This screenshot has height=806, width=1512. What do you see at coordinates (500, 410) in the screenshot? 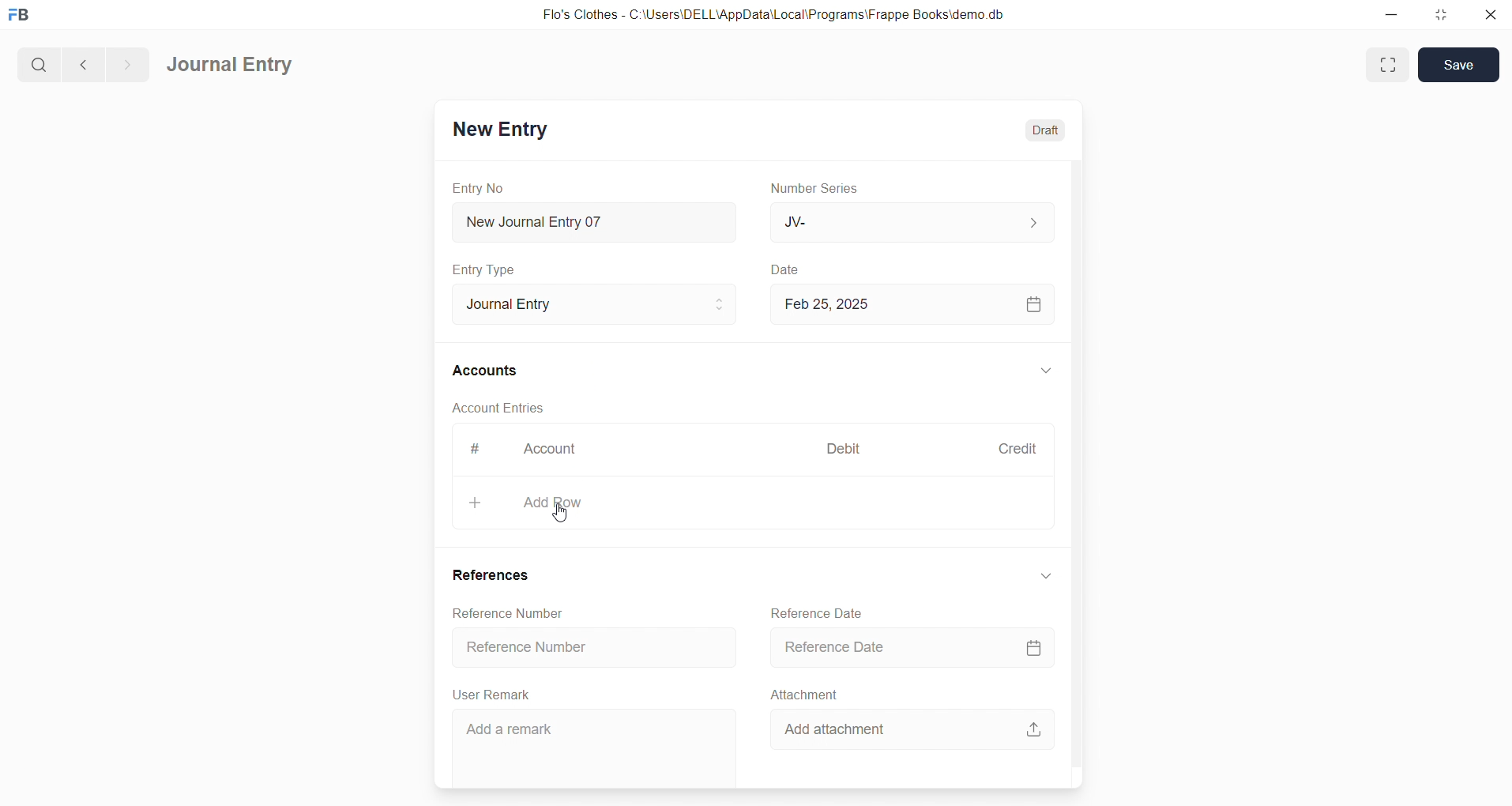
I see `Account Entries` at bounding box center [500, 410].